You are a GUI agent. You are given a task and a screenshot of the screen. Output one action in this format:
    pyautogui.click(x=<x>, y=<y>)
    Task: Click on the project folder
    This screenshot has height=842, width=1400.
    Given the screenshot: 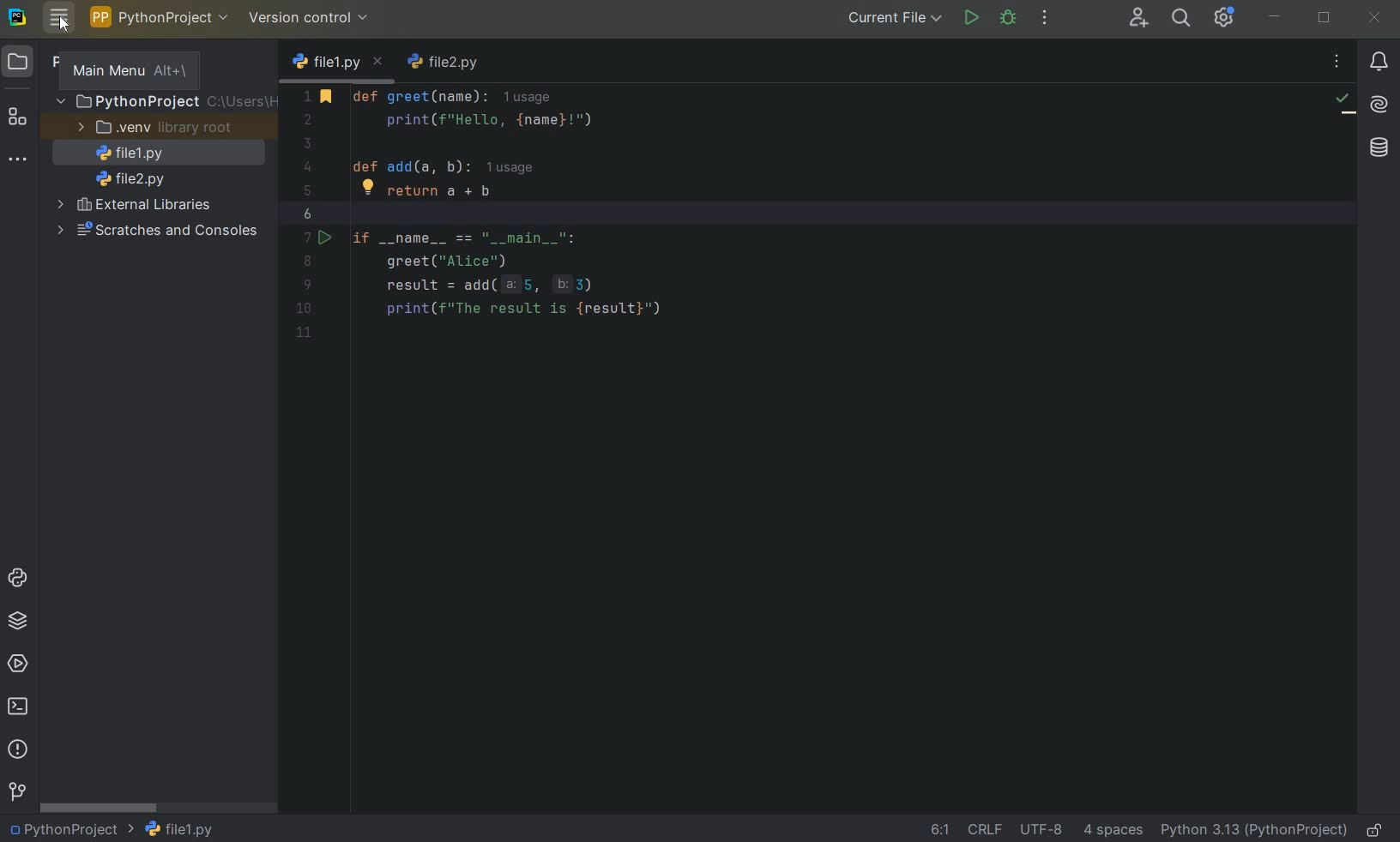 What is the action you would take?
    pyautogui.click(x=164, y=101)
    